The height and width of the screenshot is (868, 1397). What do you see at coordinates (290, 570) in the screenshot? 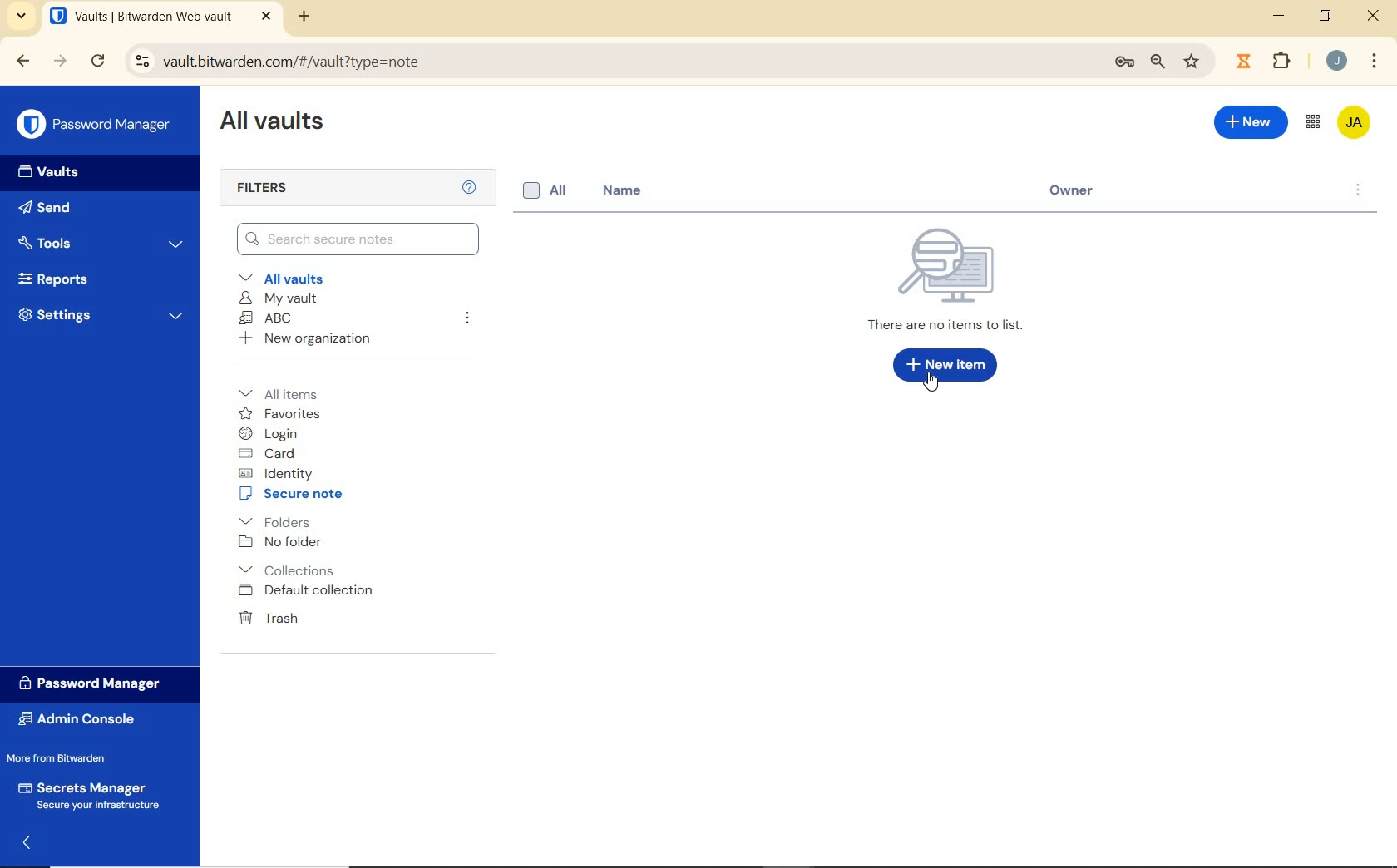
I see `Collections` at bounding box center [290, 570].